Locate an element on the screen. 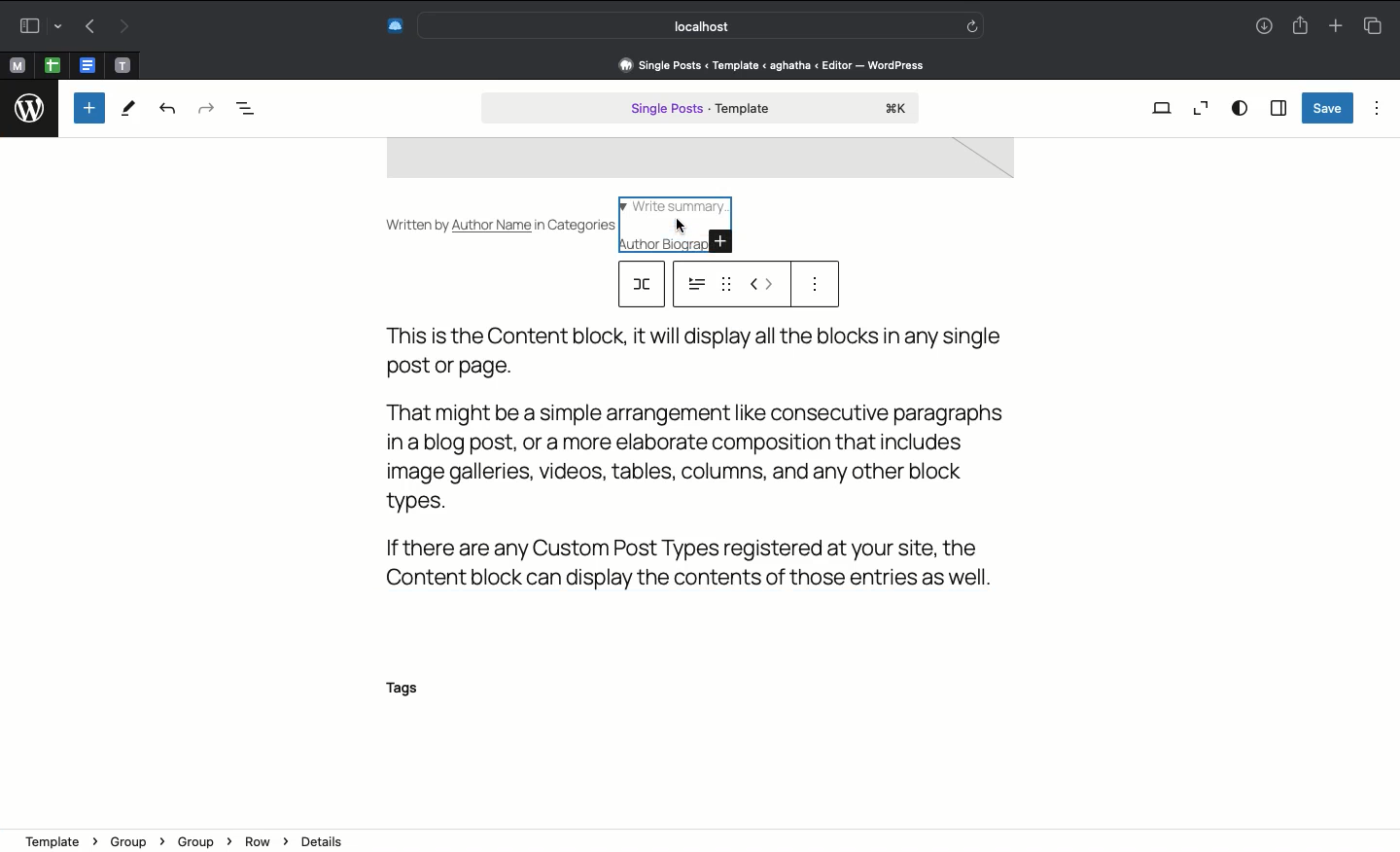  Written by Author Name in Categories is located at coordinates (500, 225).